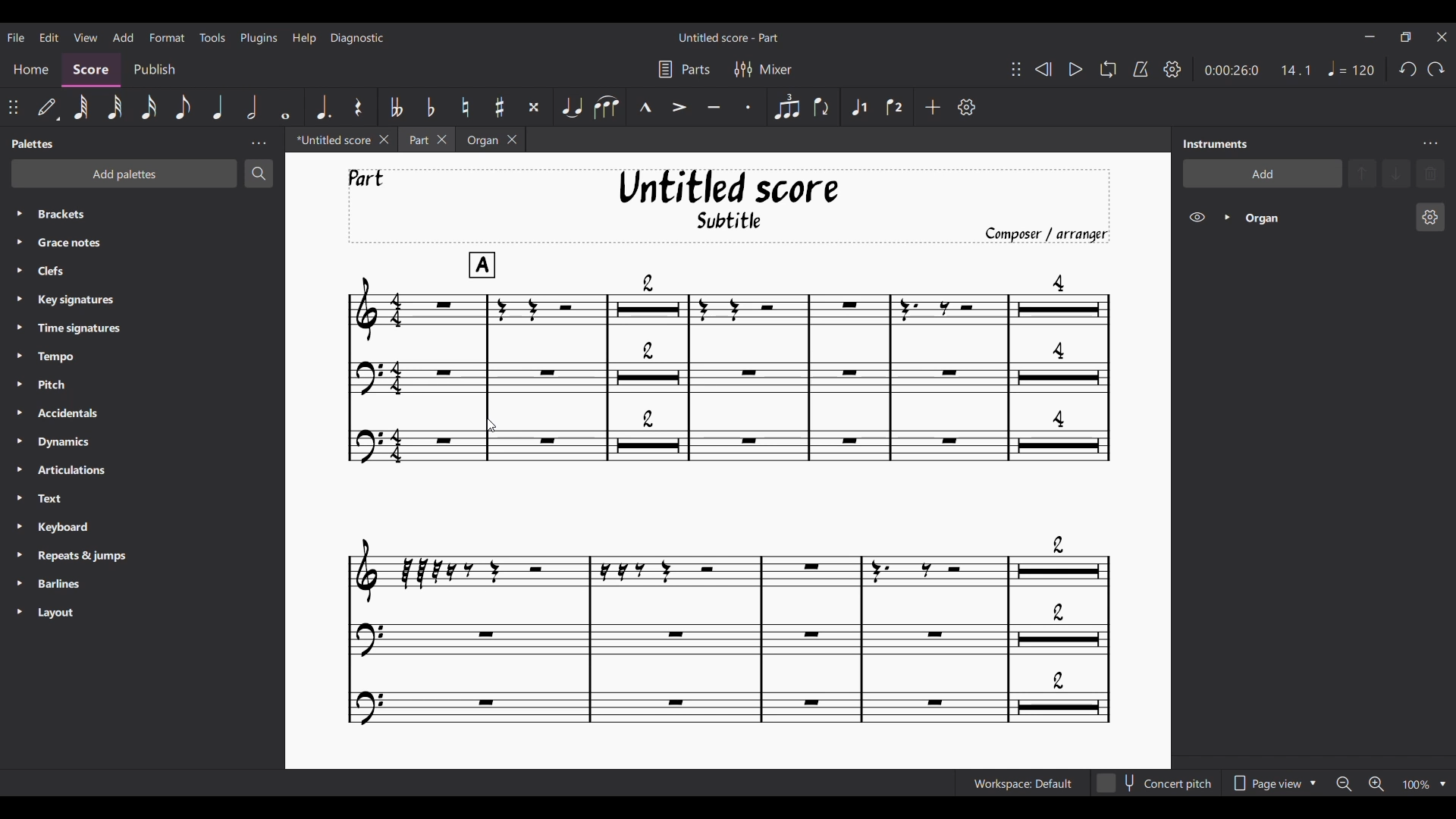 The image size is (1456, 819). What do you see at coordinates (1430, 217) in the screenshot?
I see `Organ settings` at bounding box center [1430, 217].